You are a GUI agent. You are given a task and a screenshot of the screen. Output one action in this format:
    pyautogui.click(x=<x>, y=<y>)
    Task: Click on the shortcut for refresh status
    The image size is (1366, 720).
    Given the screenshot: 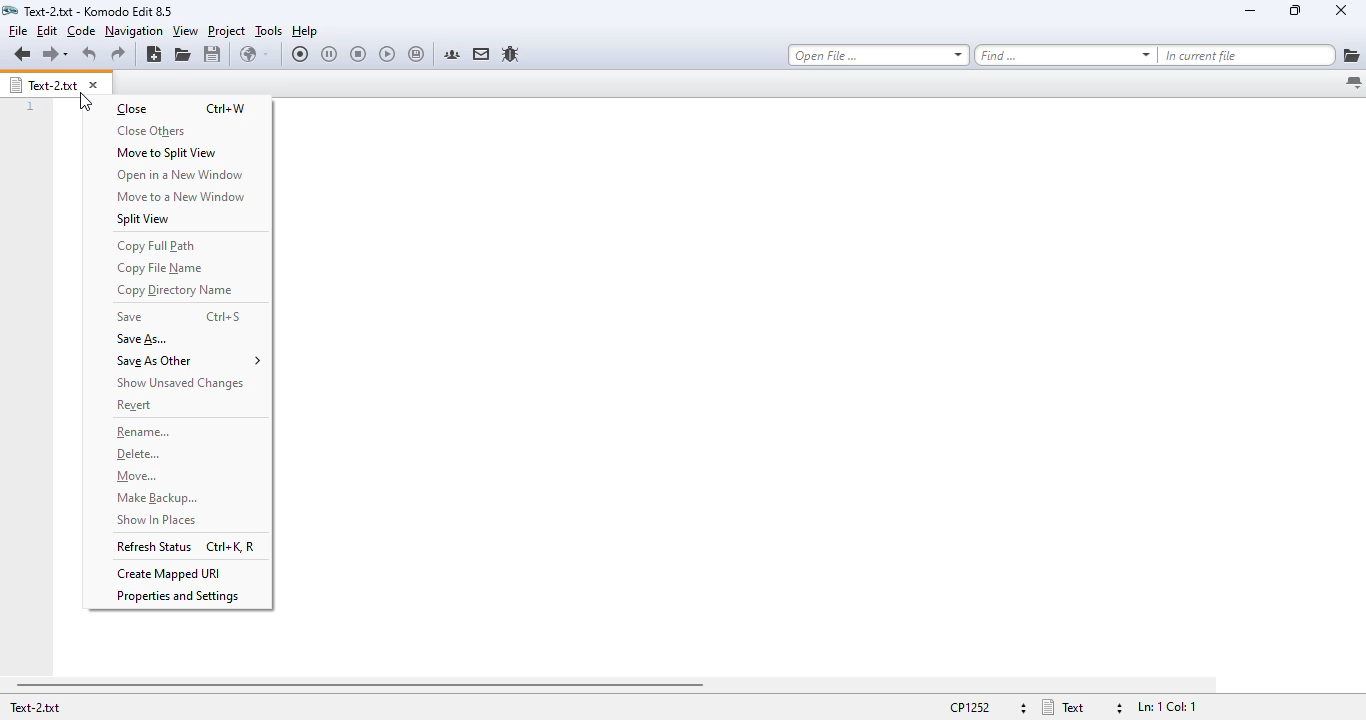 What is the action you would take?
    pyautogui.click(x=231, y=547)
    